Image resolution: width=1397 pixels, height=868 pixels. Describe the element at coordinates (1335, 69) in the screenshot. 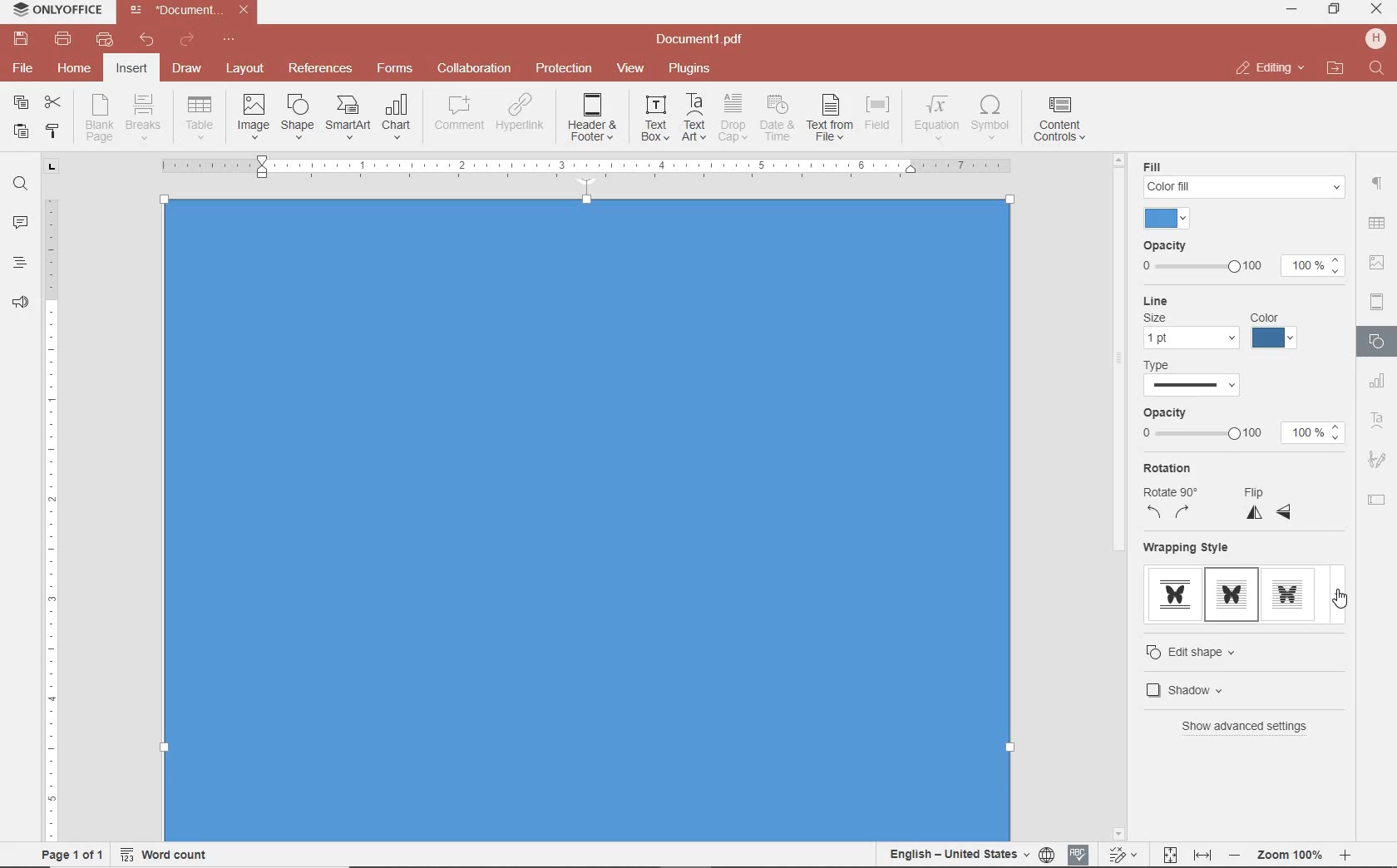

I see `open file location` at that location.